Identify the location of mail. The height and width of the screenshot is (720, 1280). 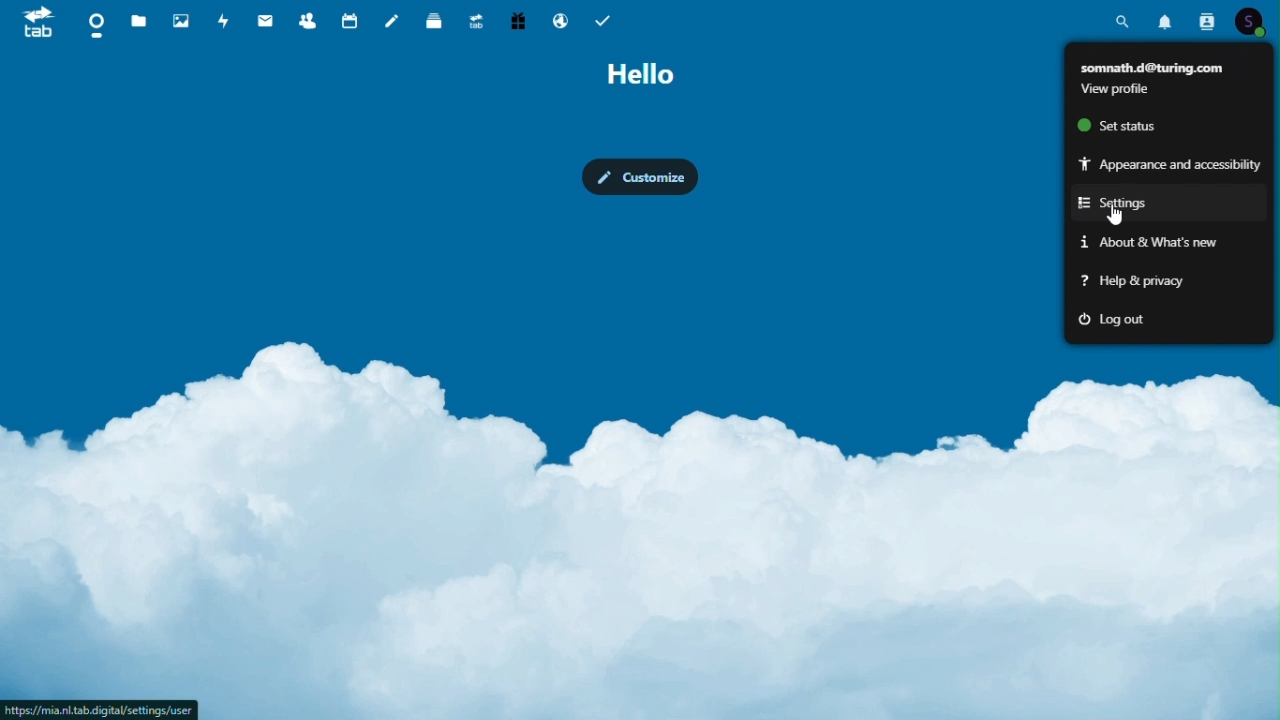
(266, 20).